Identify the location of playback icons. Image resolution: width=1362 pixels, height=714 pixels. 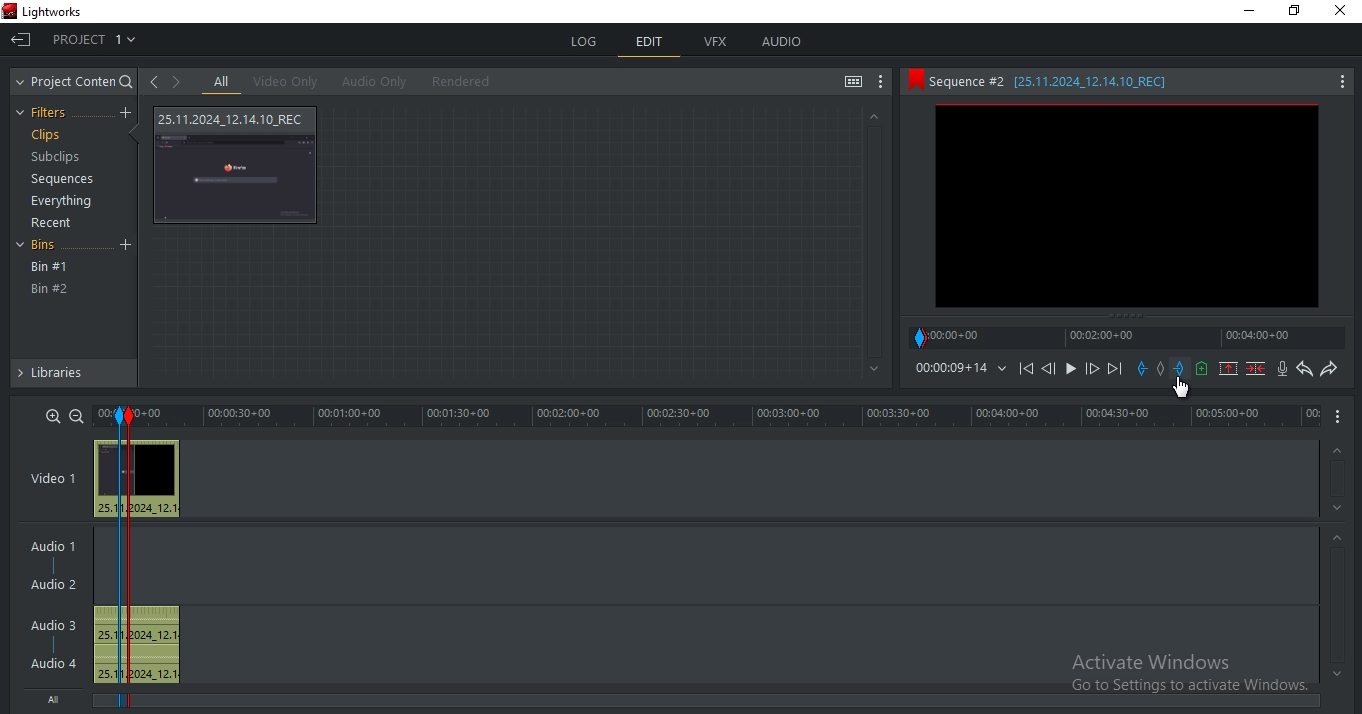
(1025, 367).